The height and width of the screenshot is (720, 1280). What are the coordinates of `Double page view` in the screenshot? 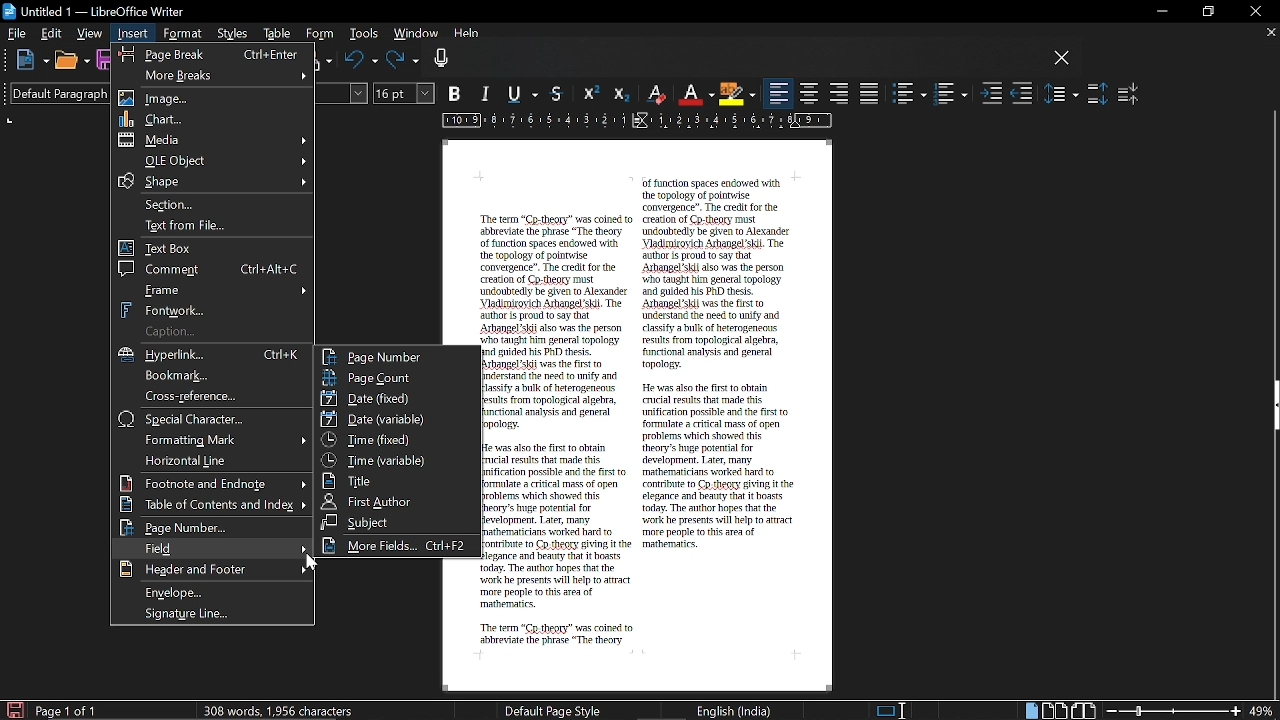 It's located at (1056, 710).